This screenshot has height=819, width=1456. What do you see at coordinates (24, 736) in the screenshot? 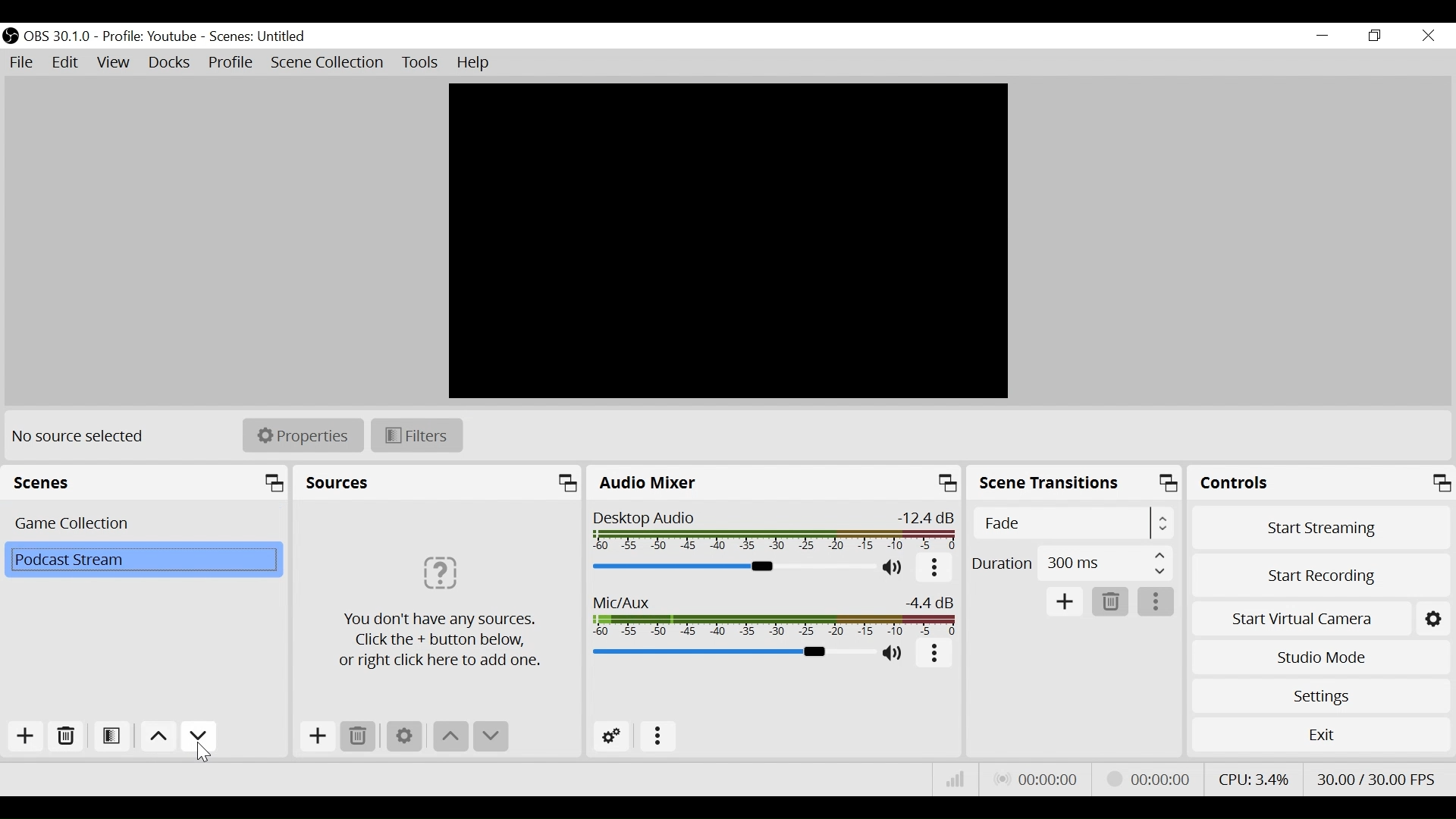
I see `Add` at bounding box center [24, 736].